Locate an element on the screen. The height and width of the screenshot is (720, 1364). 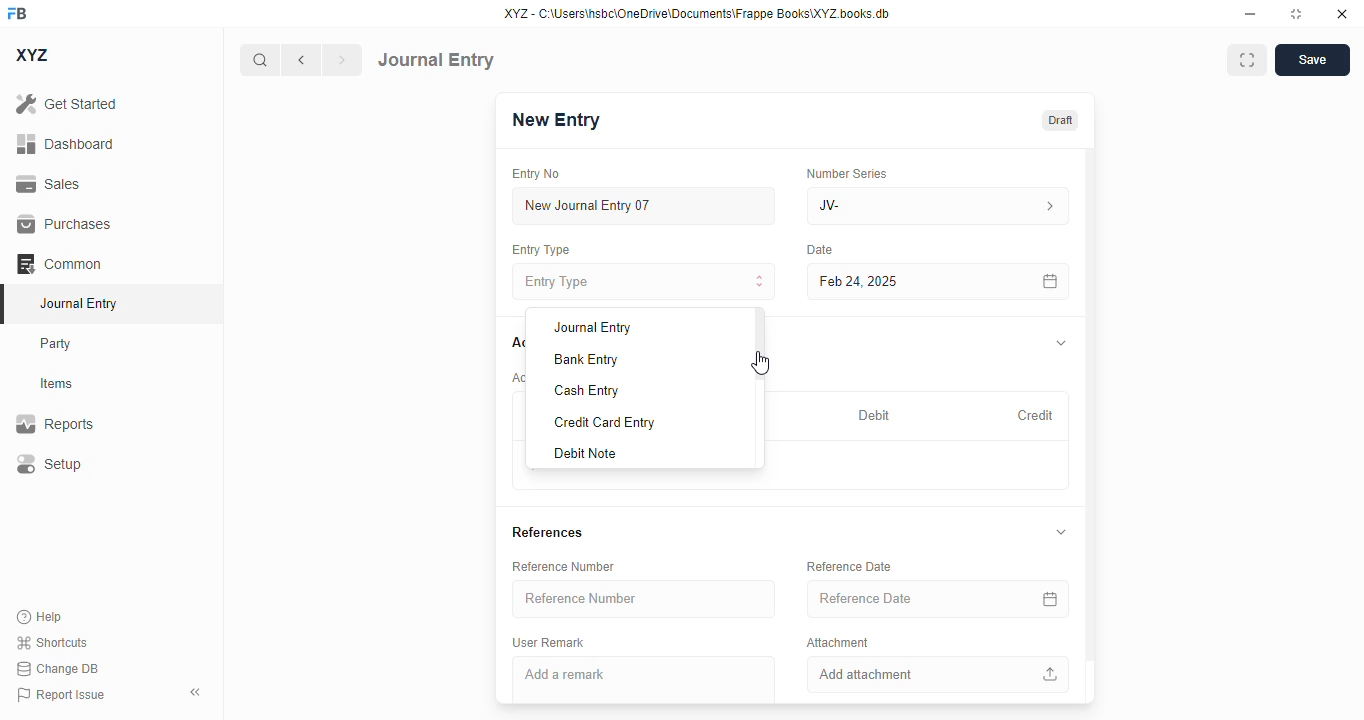
save is located at coordinates (1312, 60).